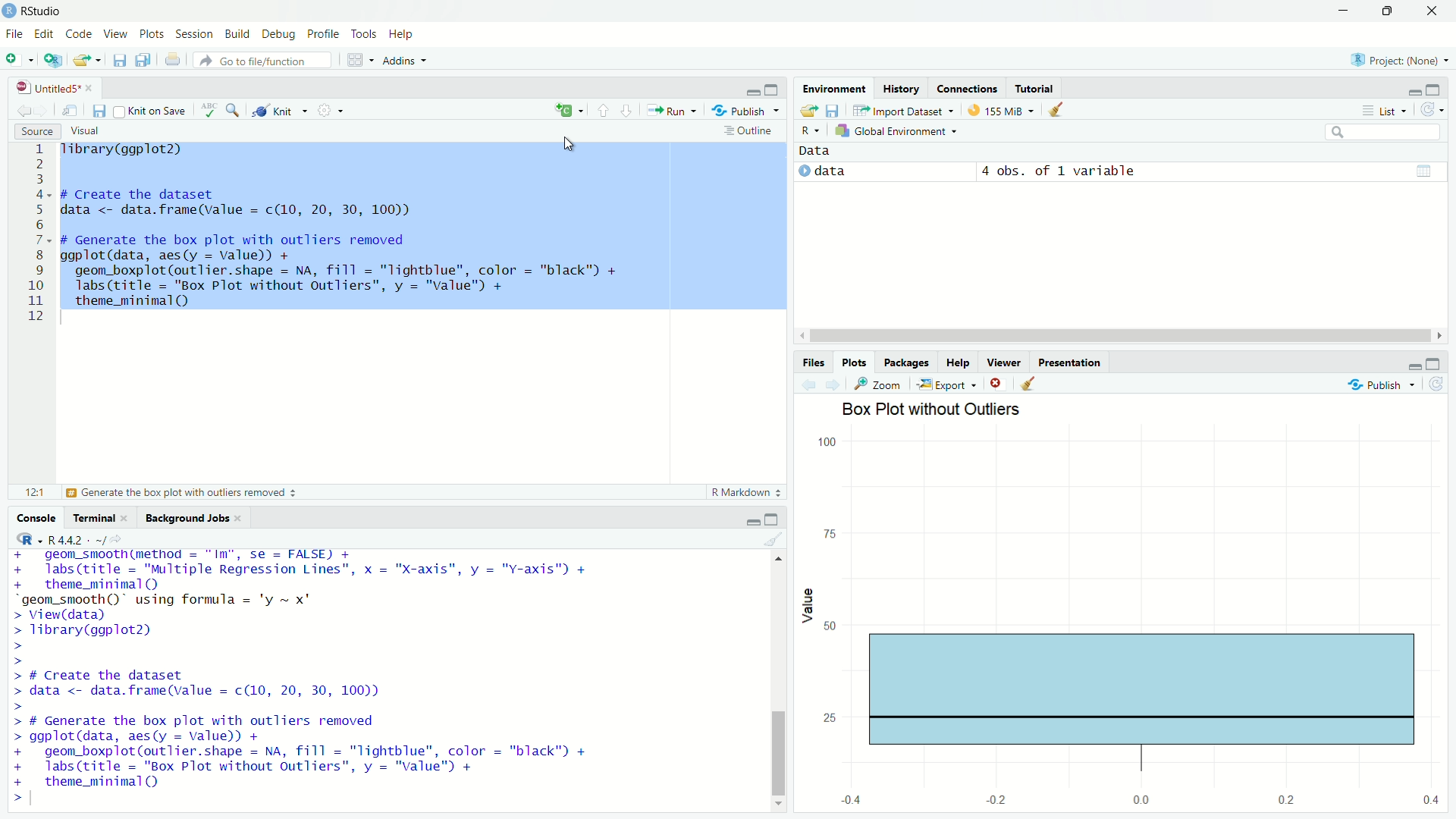 The image size is (1456, 819). I want to click on R Markdown, so click(739, 491).